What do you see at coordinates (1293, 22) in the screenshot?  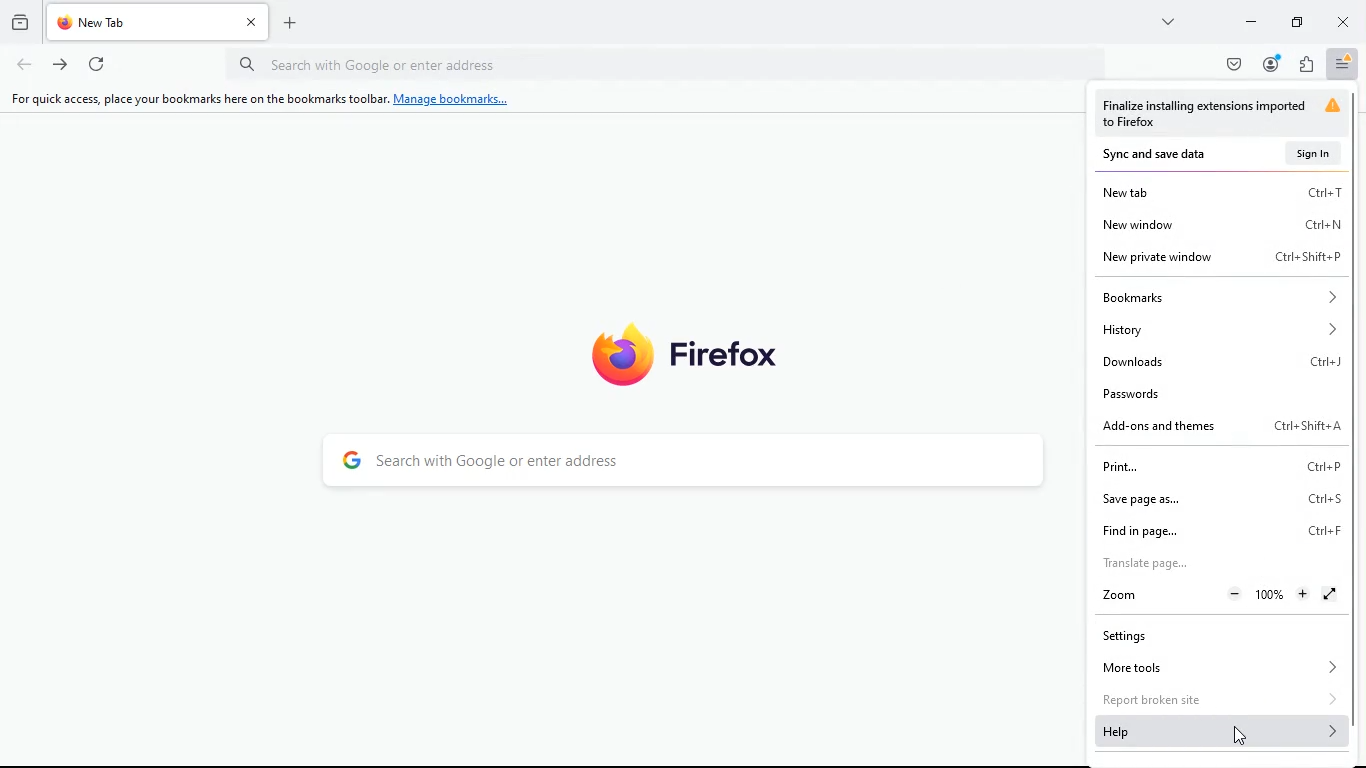 I see `maximize` at bounding box center [1293, 22].